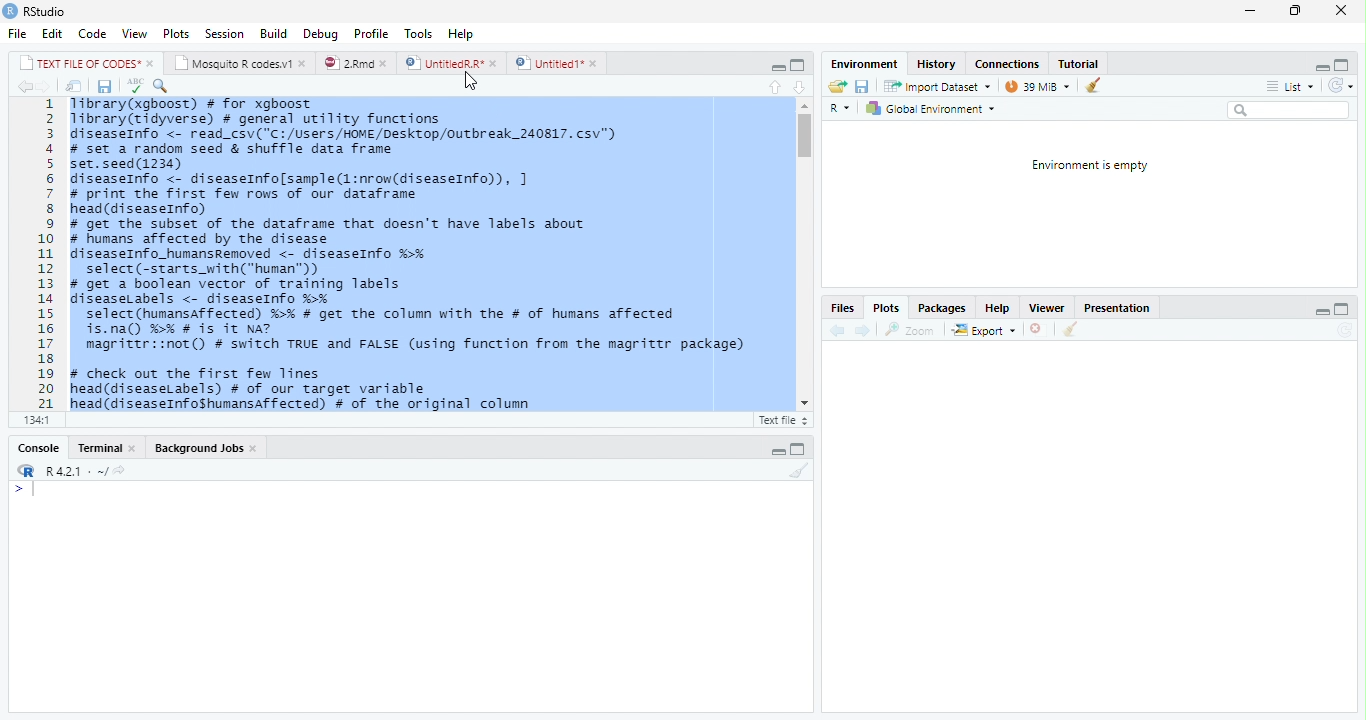 This screenshot has height=720, width=1366. What do you see at coordinates (772, 85) in the screenshot?
I see `Up` at bounding box center [772, 85].